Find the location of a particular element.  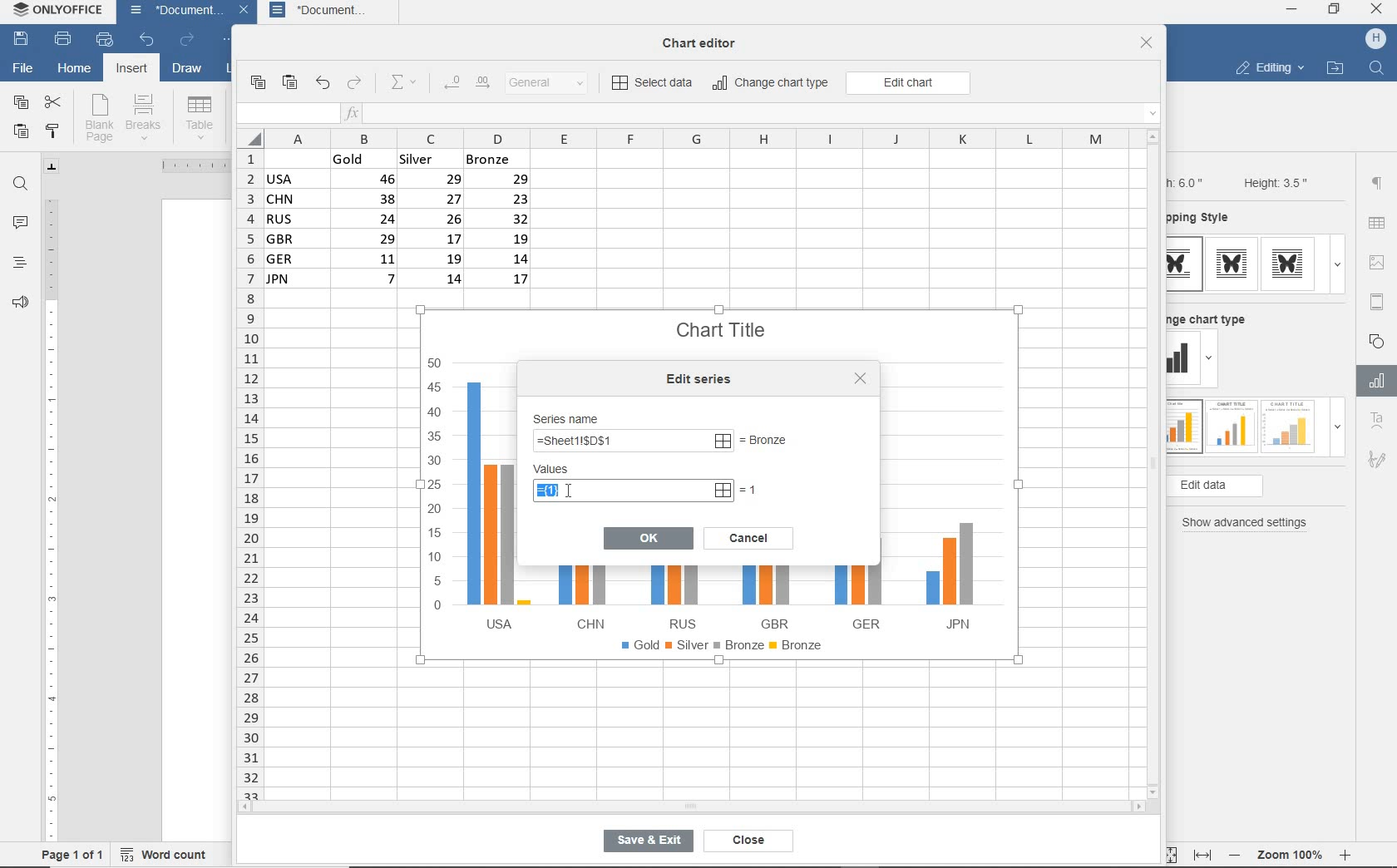

change type is located at coordinates (1183, 359).